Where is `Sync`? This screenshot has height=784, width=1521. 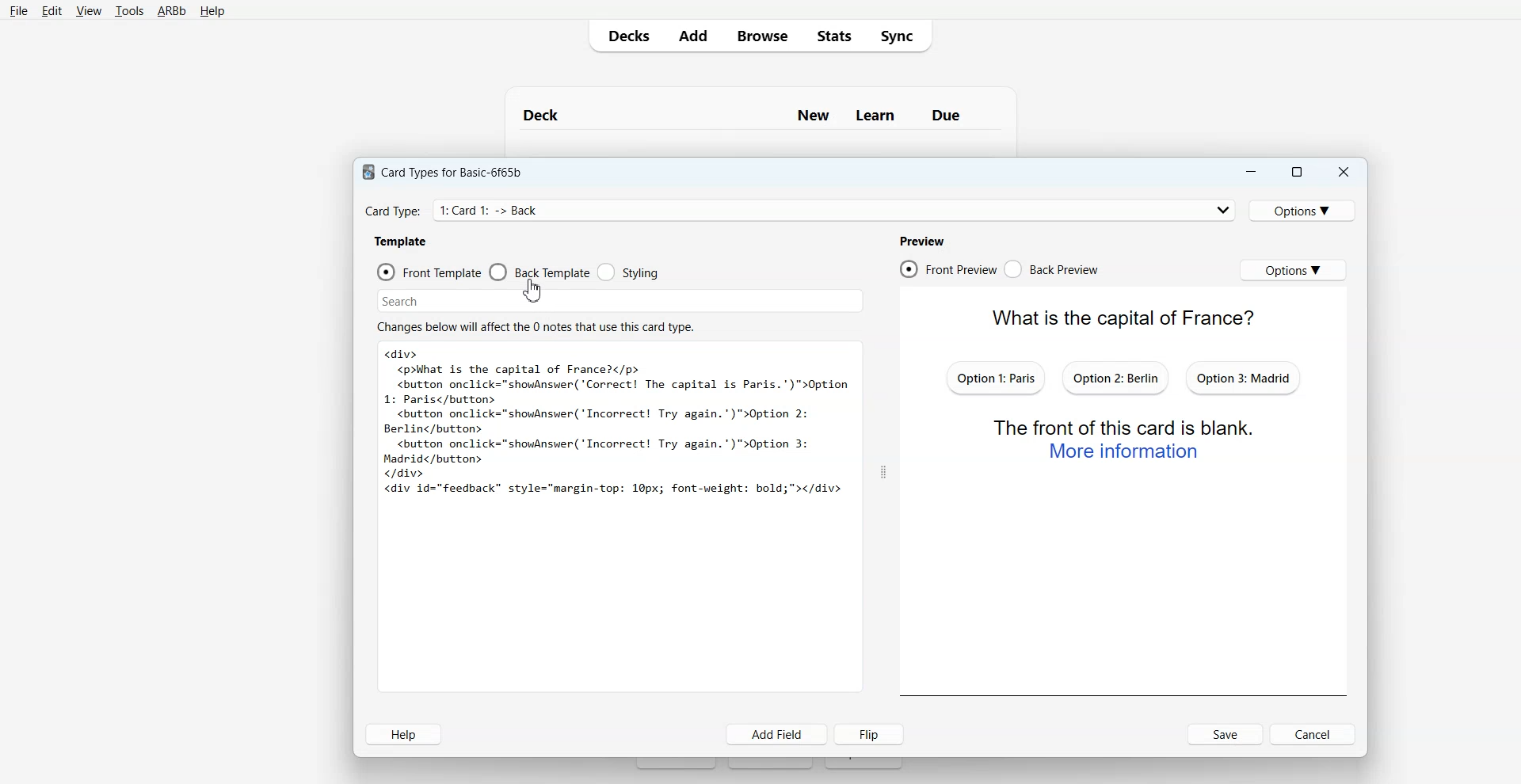 Sync is located at coordinates (902, 36).